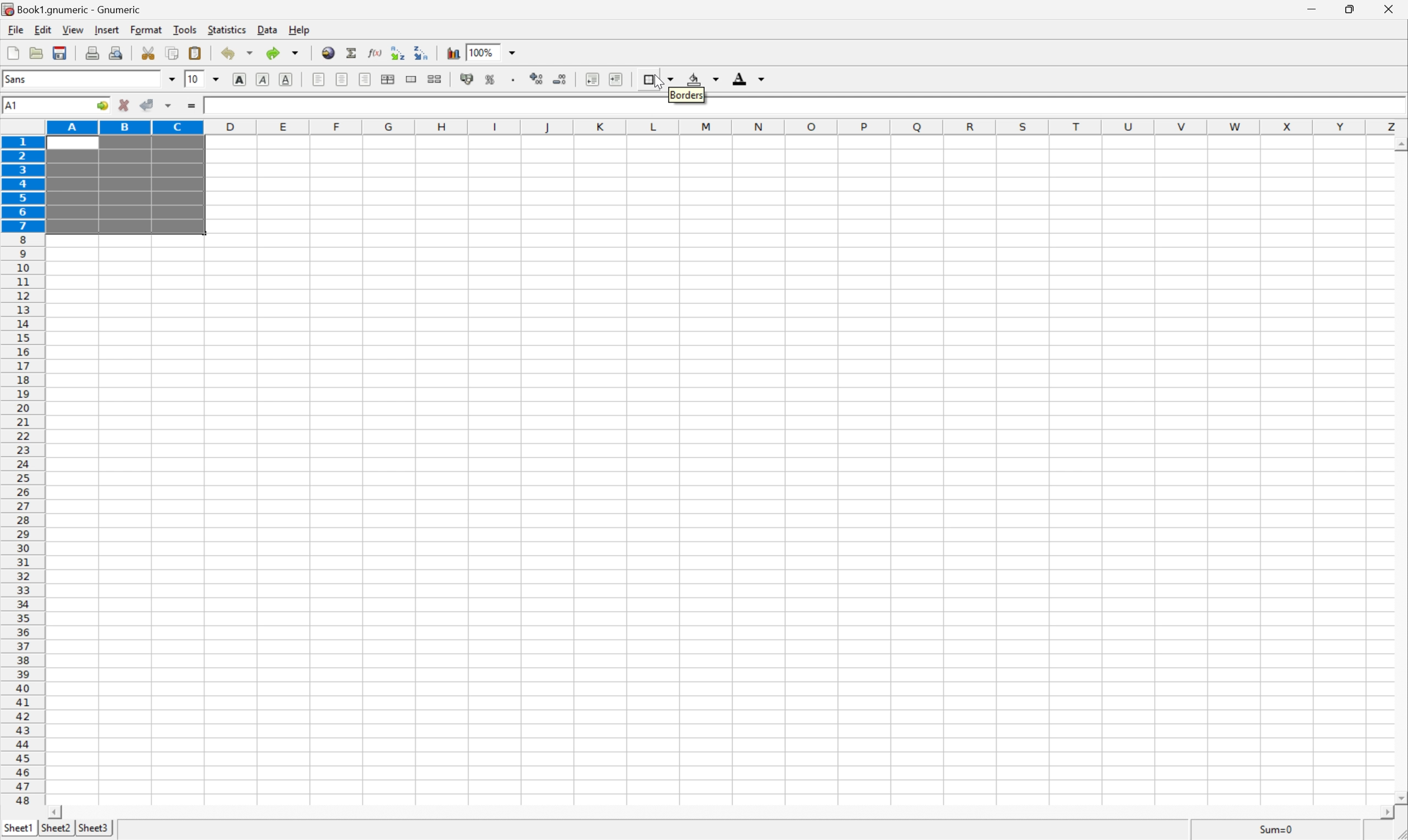  Describe the element at coordinates (104, 107) in the screenshot. I see `go to` at that location.